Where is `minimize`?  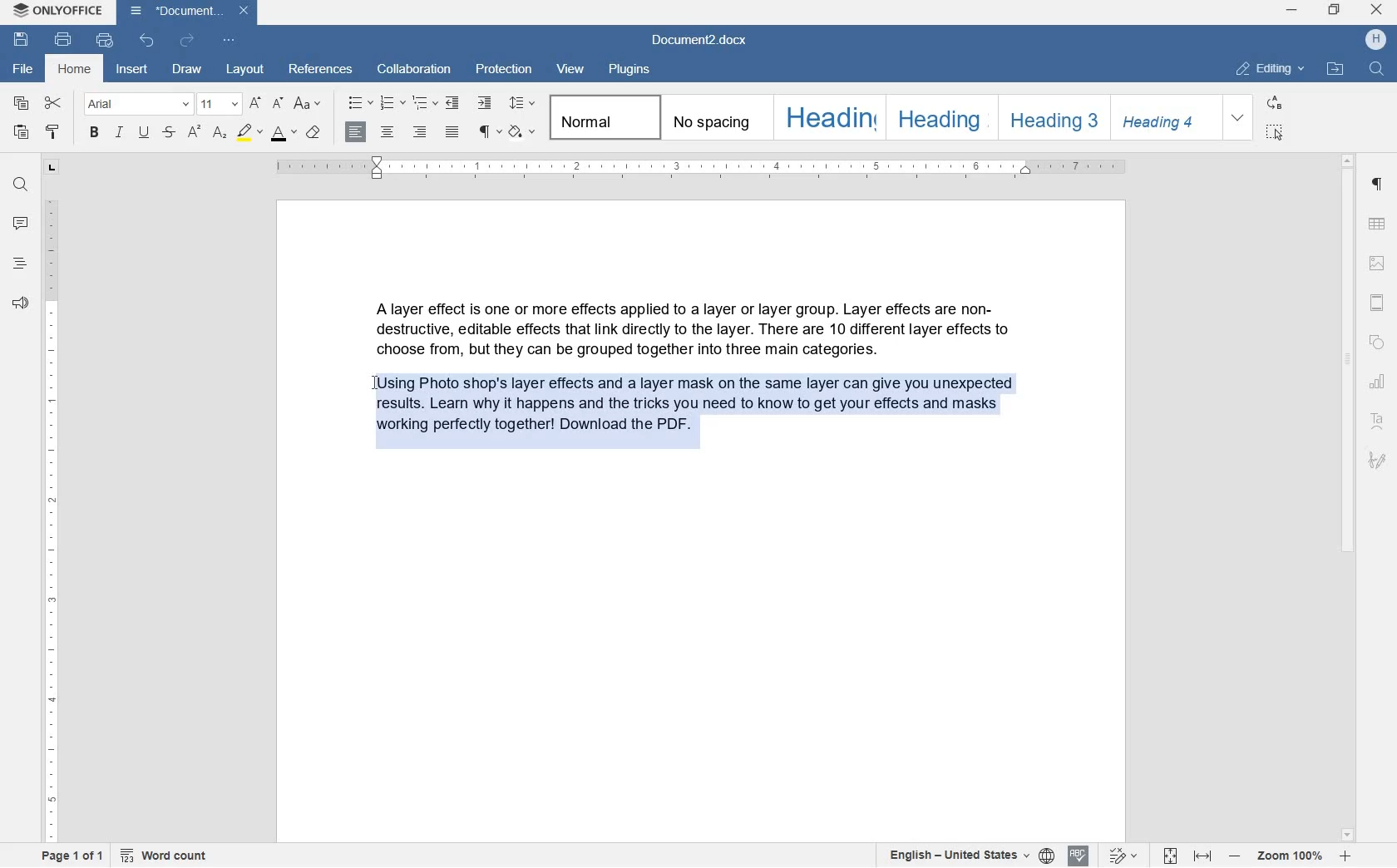
minimize is located at coordinates (1294, 11).